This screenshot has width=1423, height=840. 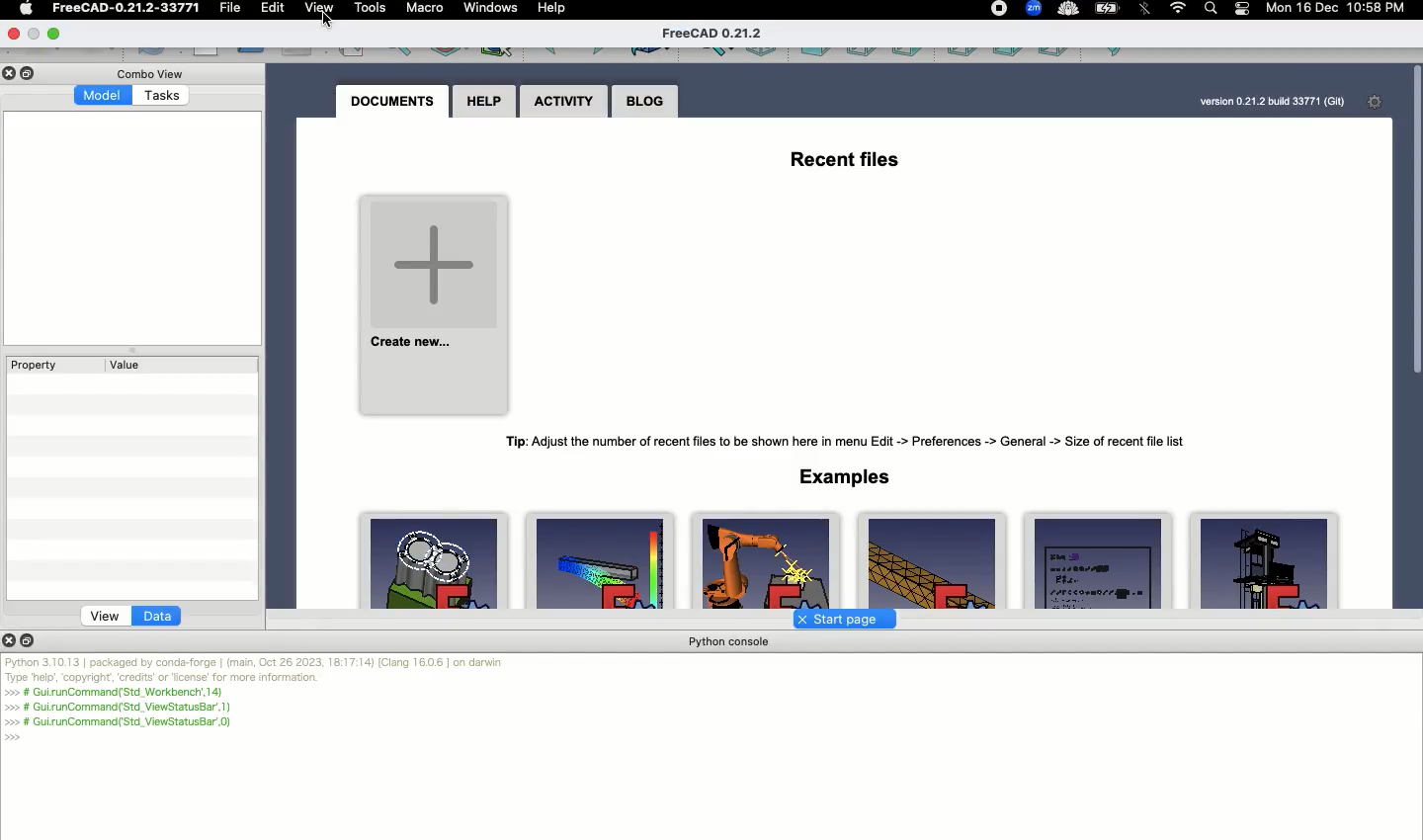 I want to click on Value, so click(x=127, y=365).